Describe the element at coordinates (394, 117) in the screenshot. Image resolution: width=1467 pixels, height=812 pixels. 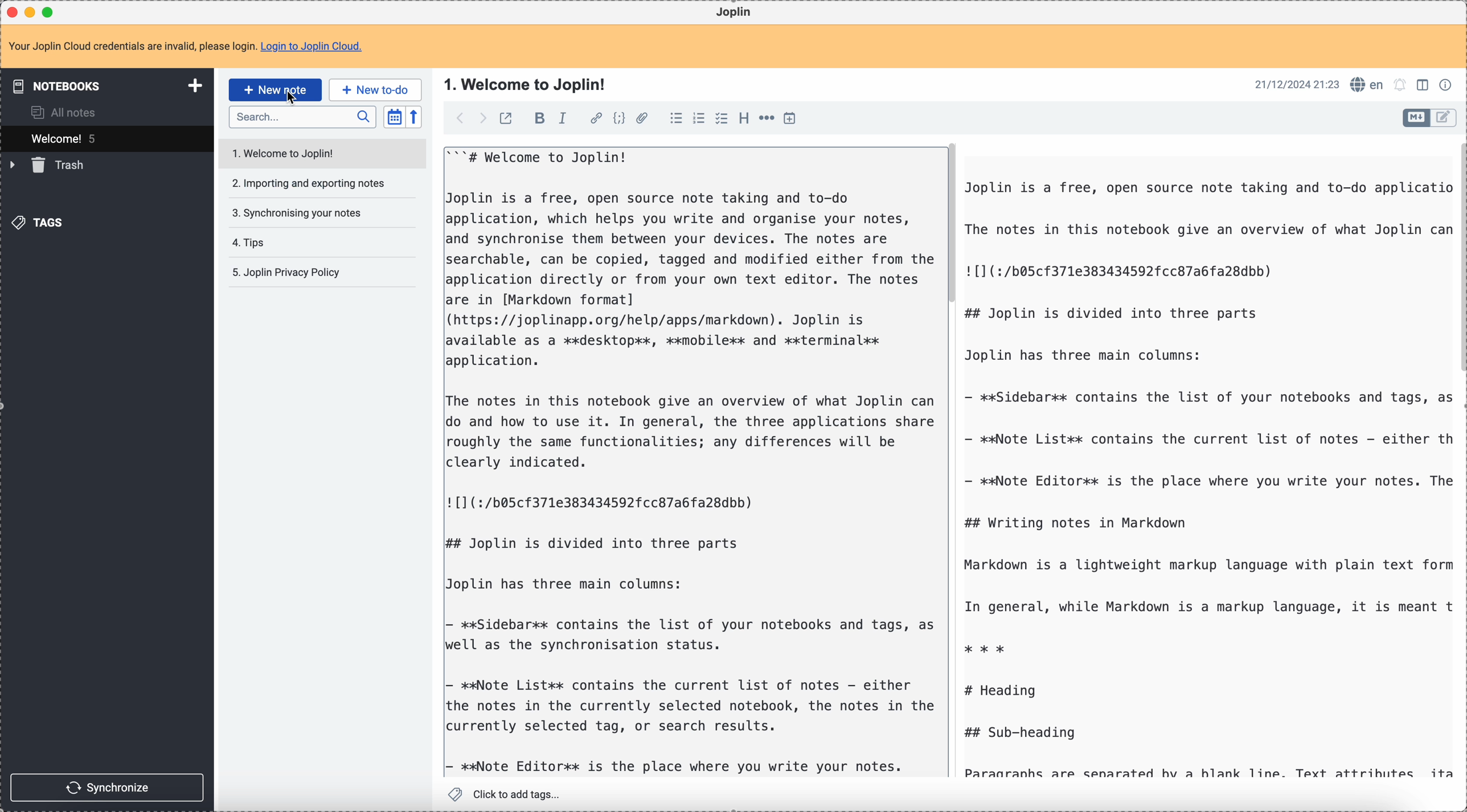
I see `toggle sort order field` at that location.